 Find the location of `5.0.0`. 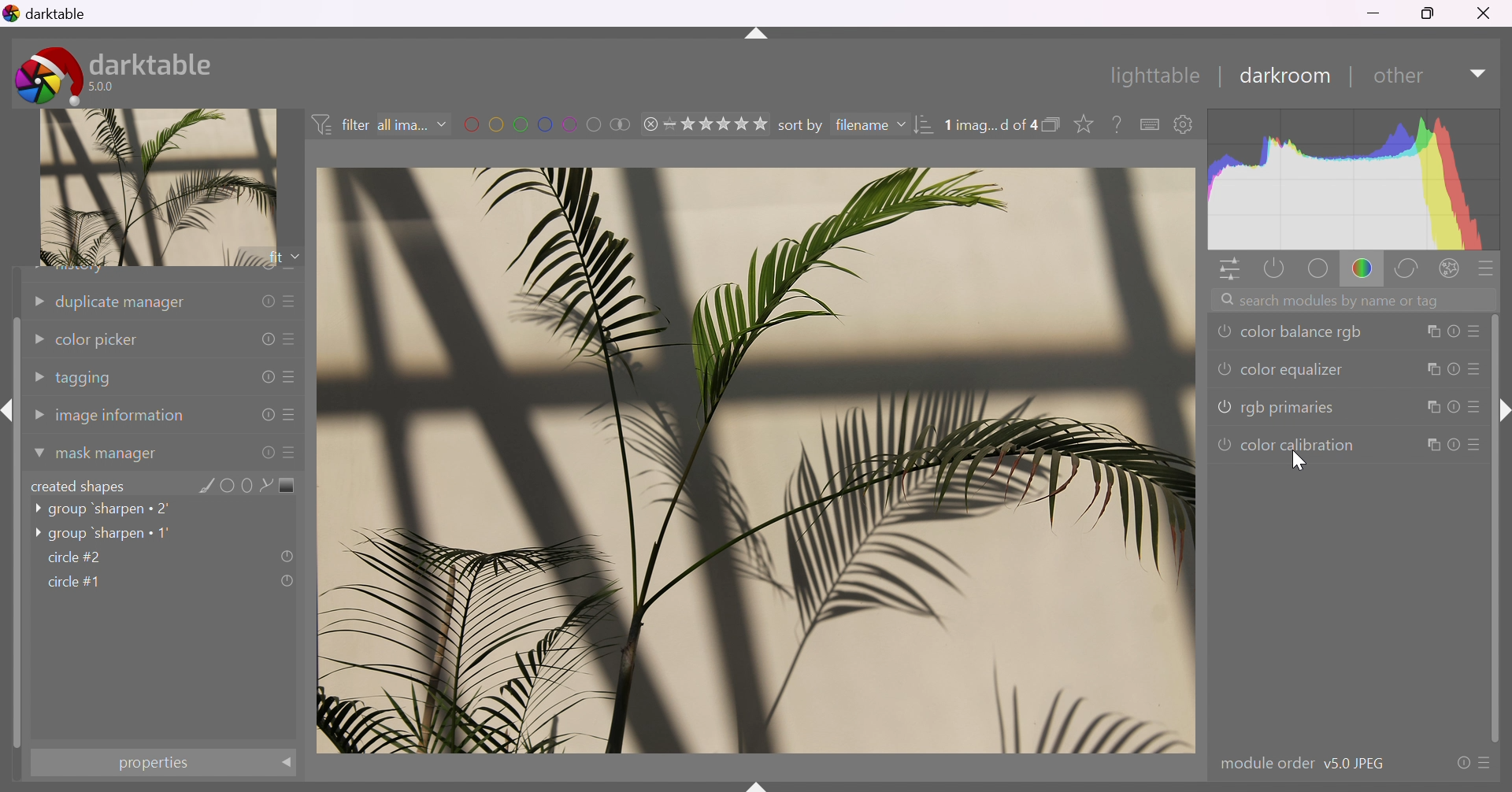

5.0.0 is located at coordinates (109, 90).